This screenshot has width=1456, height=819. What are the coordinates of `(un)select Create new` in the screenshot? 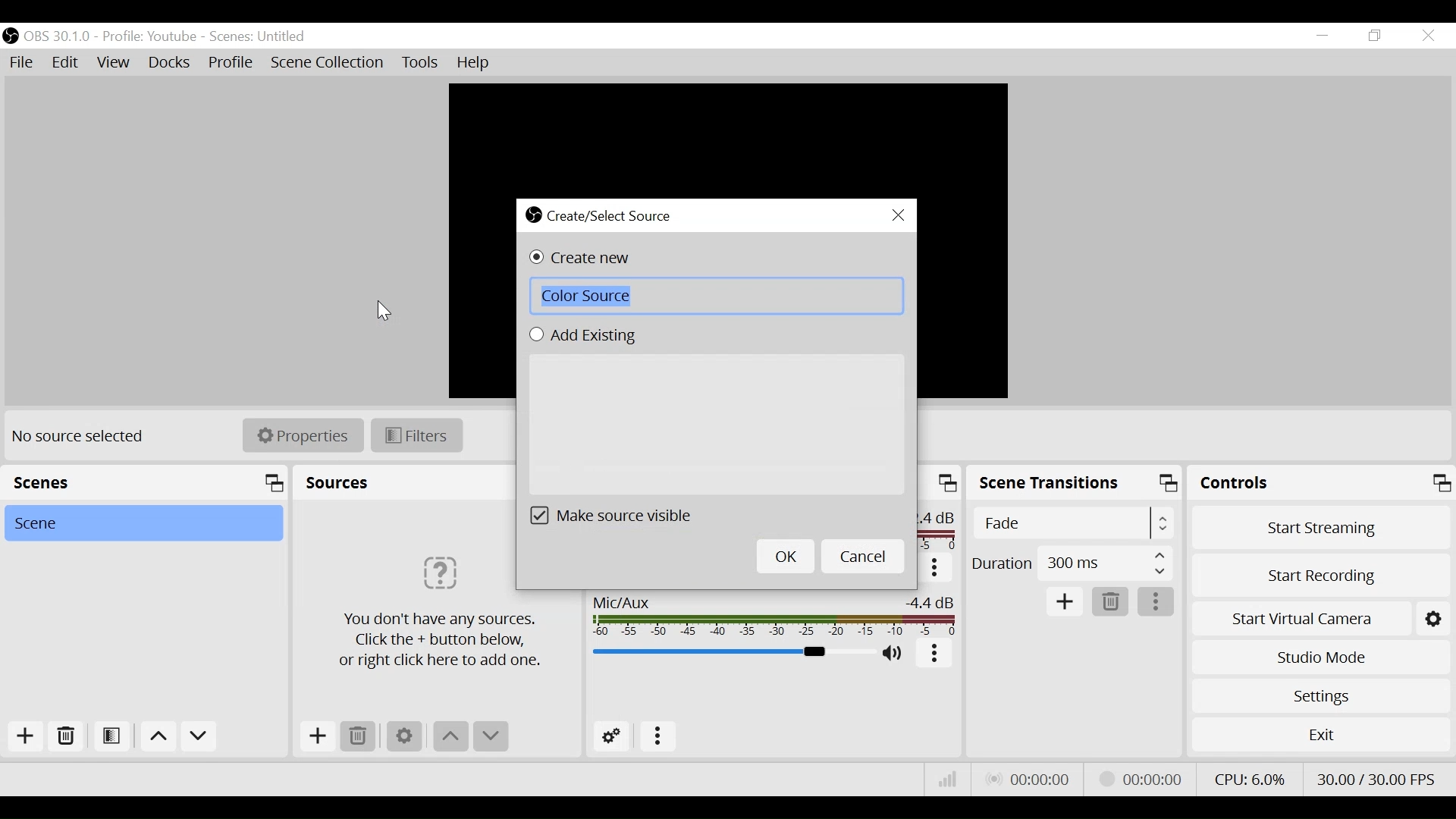 It's located at (583, 259).